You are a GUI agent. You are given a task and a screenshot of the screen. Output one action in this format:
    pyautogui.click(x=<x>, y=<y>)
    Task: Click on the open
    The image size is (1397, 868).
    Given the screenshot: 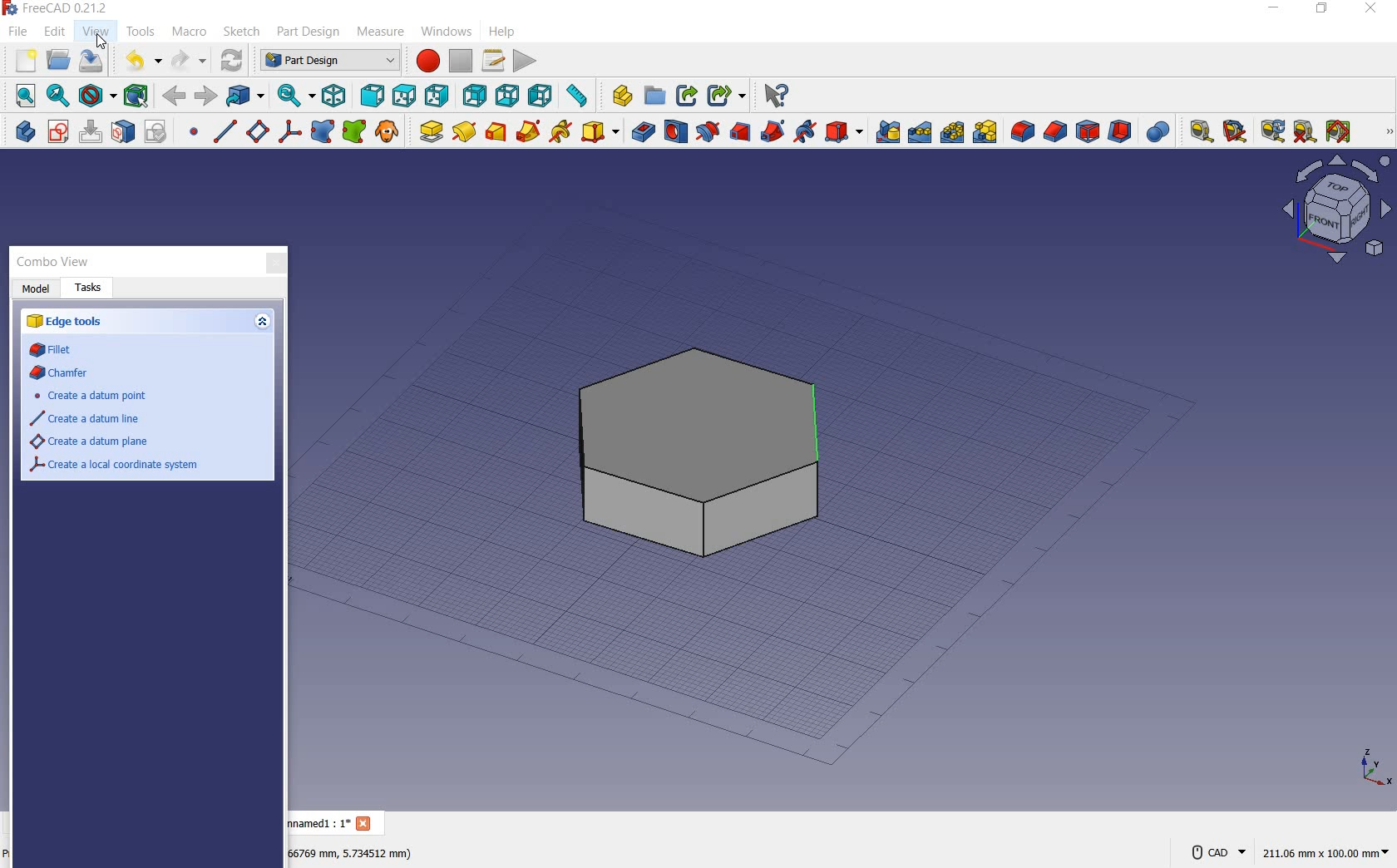 What is the action you would take?
    pyautogui.click(x=59, y=59)
    